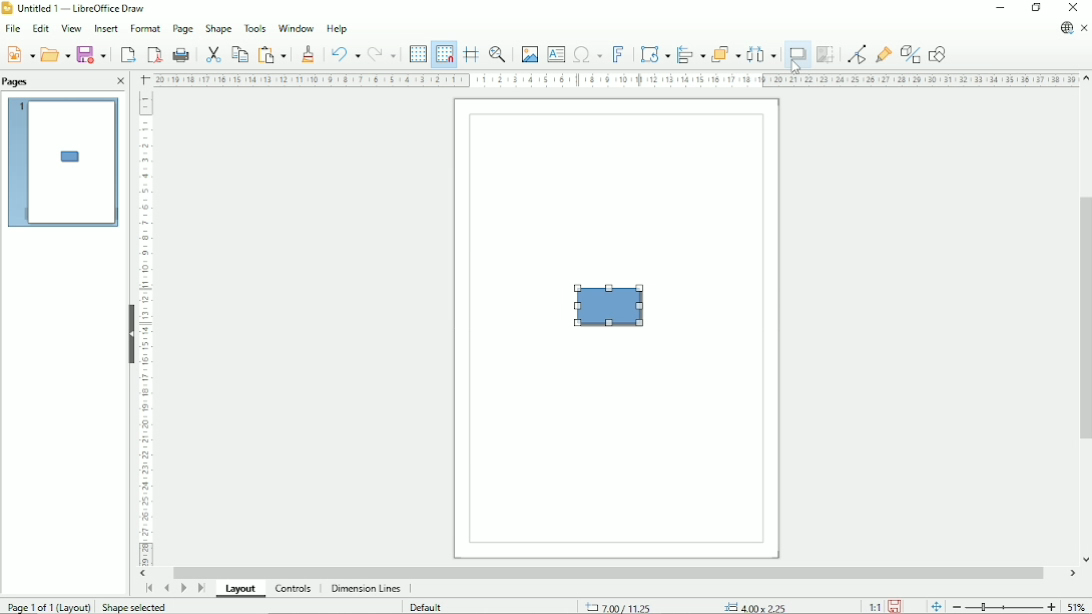  I want to click on Arrange, so click(725, 54).